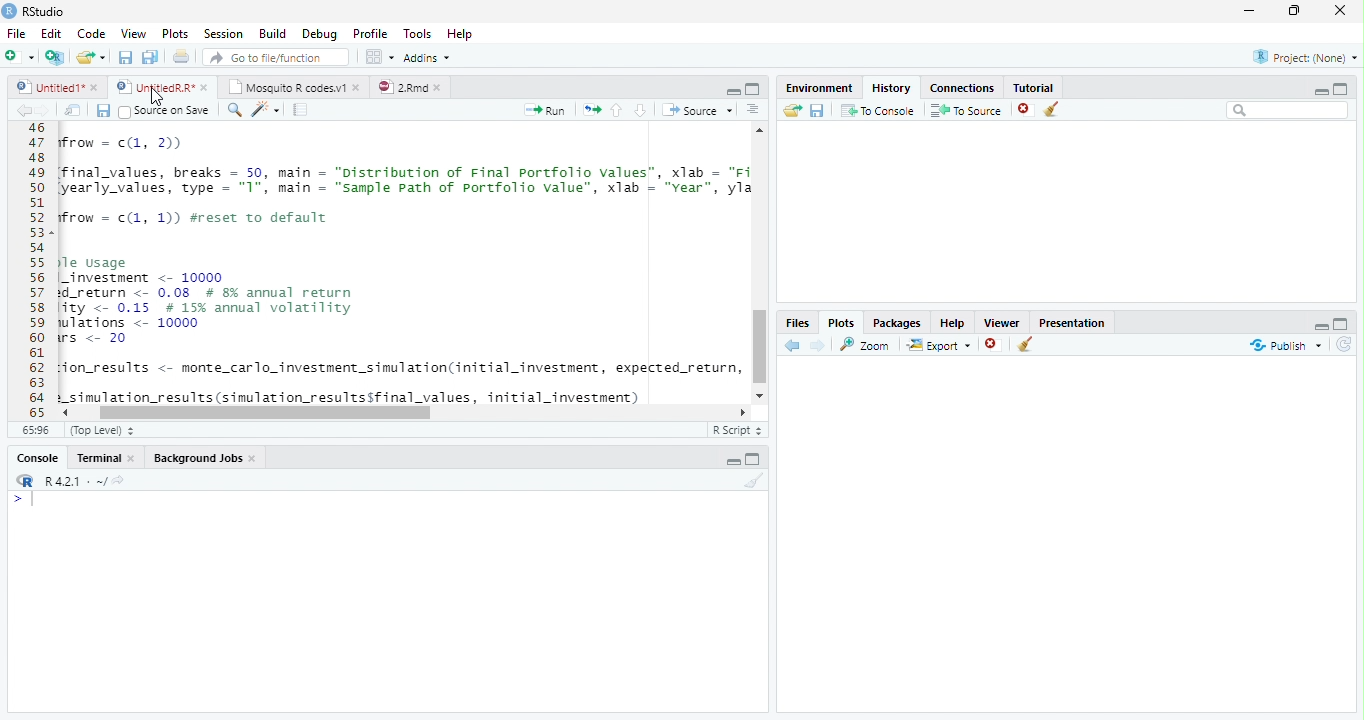  Describe the element at coordinates (791, 111) in the screenshot. I see `Load history from an existing file` at that location.